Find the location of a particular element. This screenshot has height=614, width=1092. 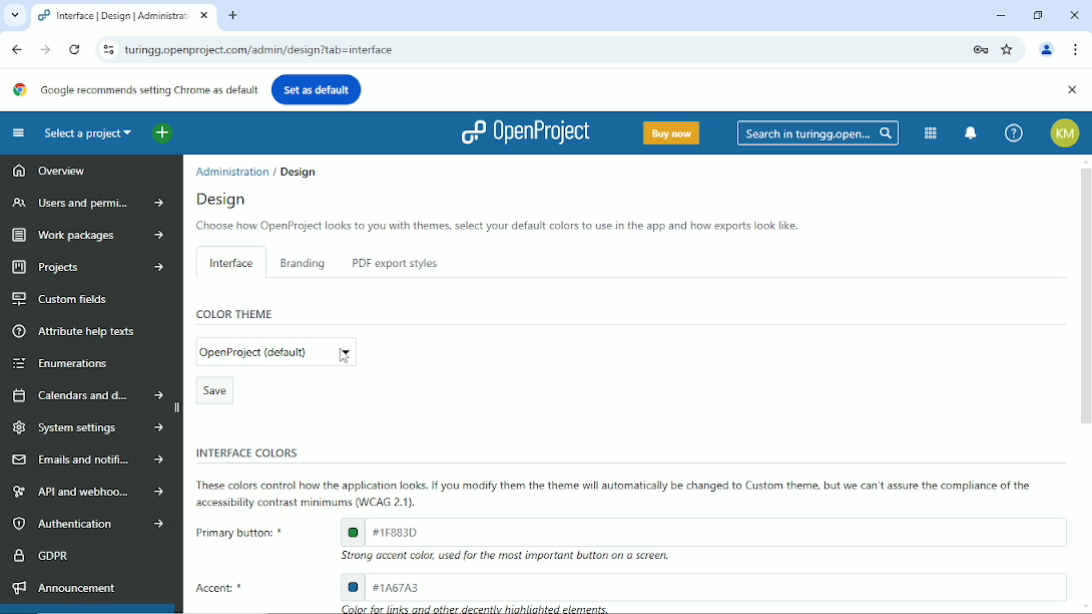

System settings is located at coordinates (87, 427).